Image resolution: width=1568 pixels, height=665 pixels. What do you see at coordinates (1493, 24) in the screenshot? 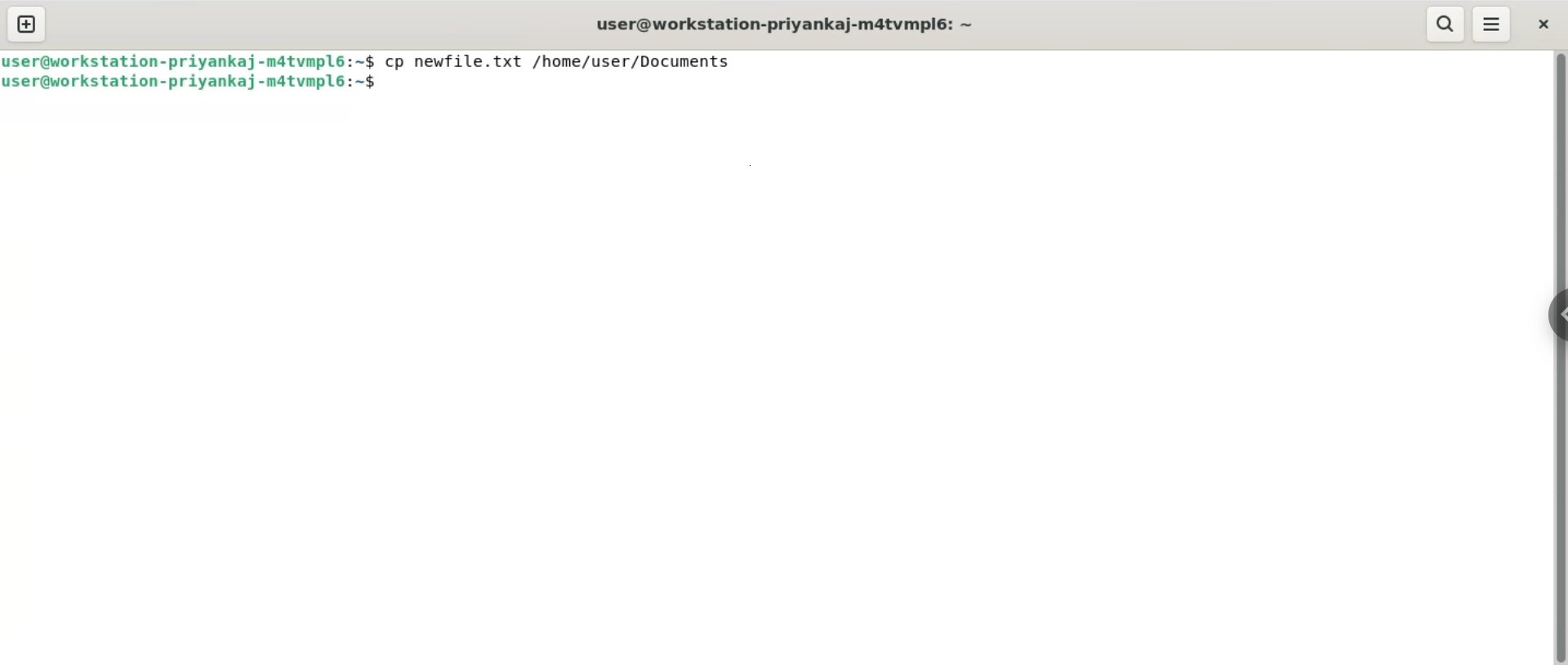
I see `menu` at bounding box center [1493, 24].